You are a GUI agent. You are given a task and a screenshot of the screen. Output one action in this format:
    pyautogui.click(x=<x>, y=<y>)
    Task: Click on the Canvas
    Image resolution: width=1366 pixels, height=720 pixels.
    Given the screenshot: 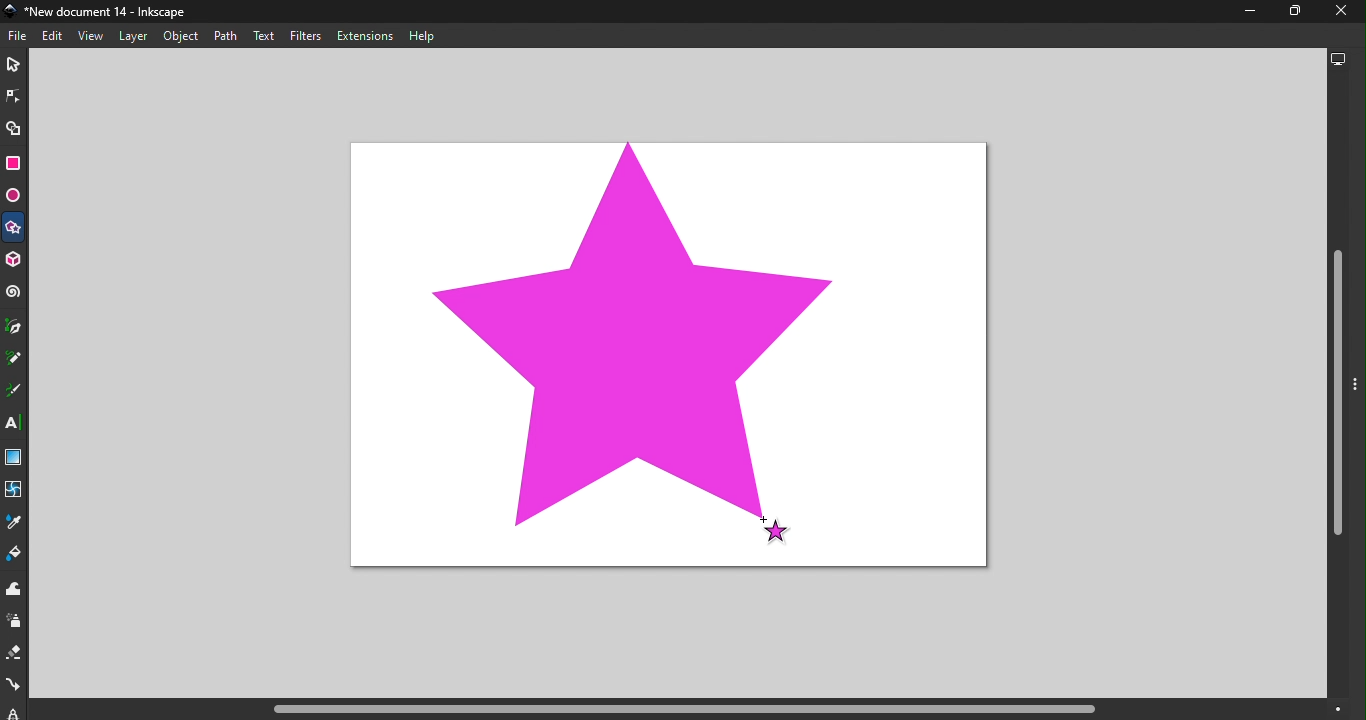 What is the action you would take?
    pyautogui.click(x=672, y=357)
    